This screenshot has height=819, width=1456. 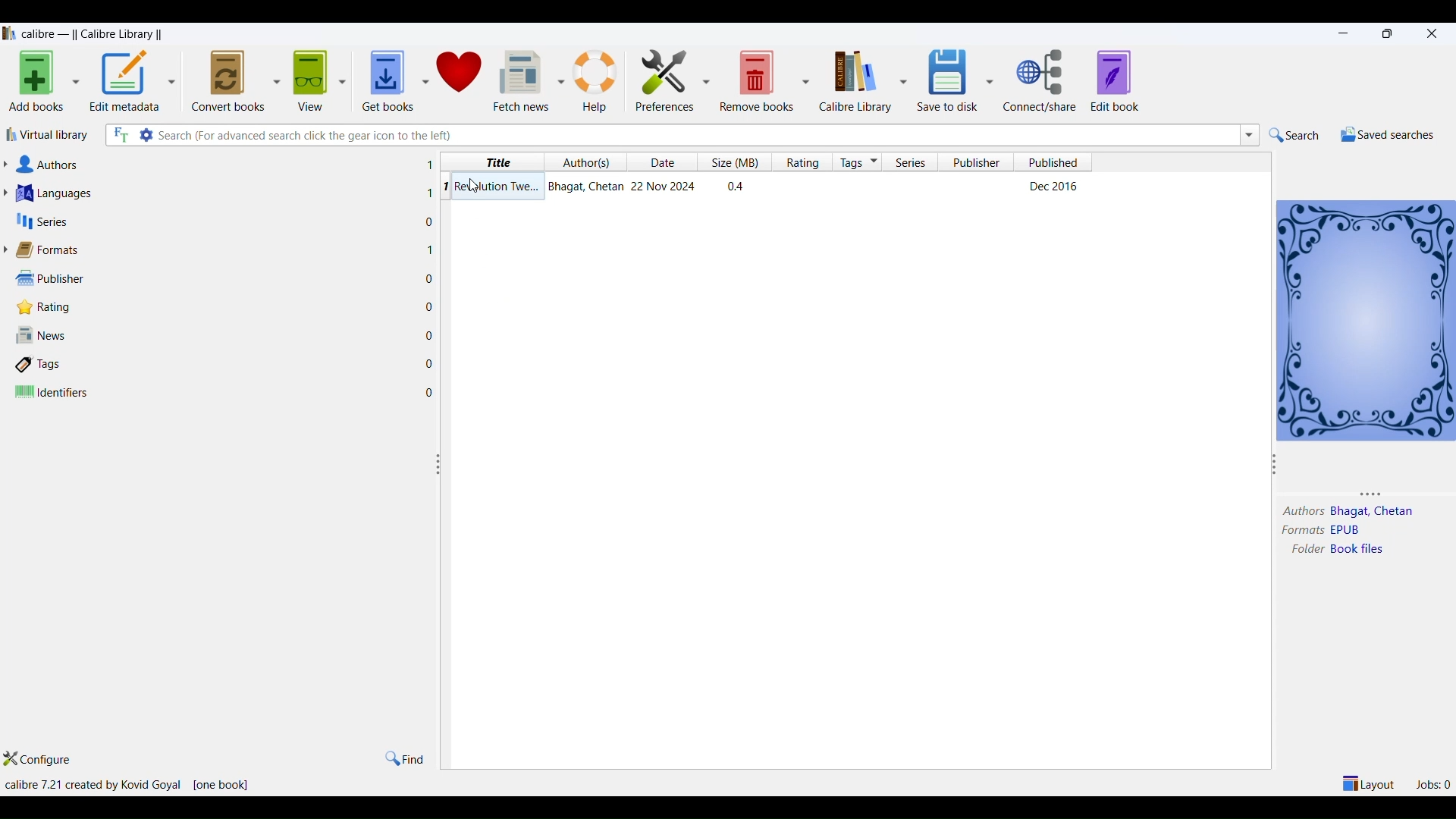 I want to click on formats, so click(x=52, y=249).